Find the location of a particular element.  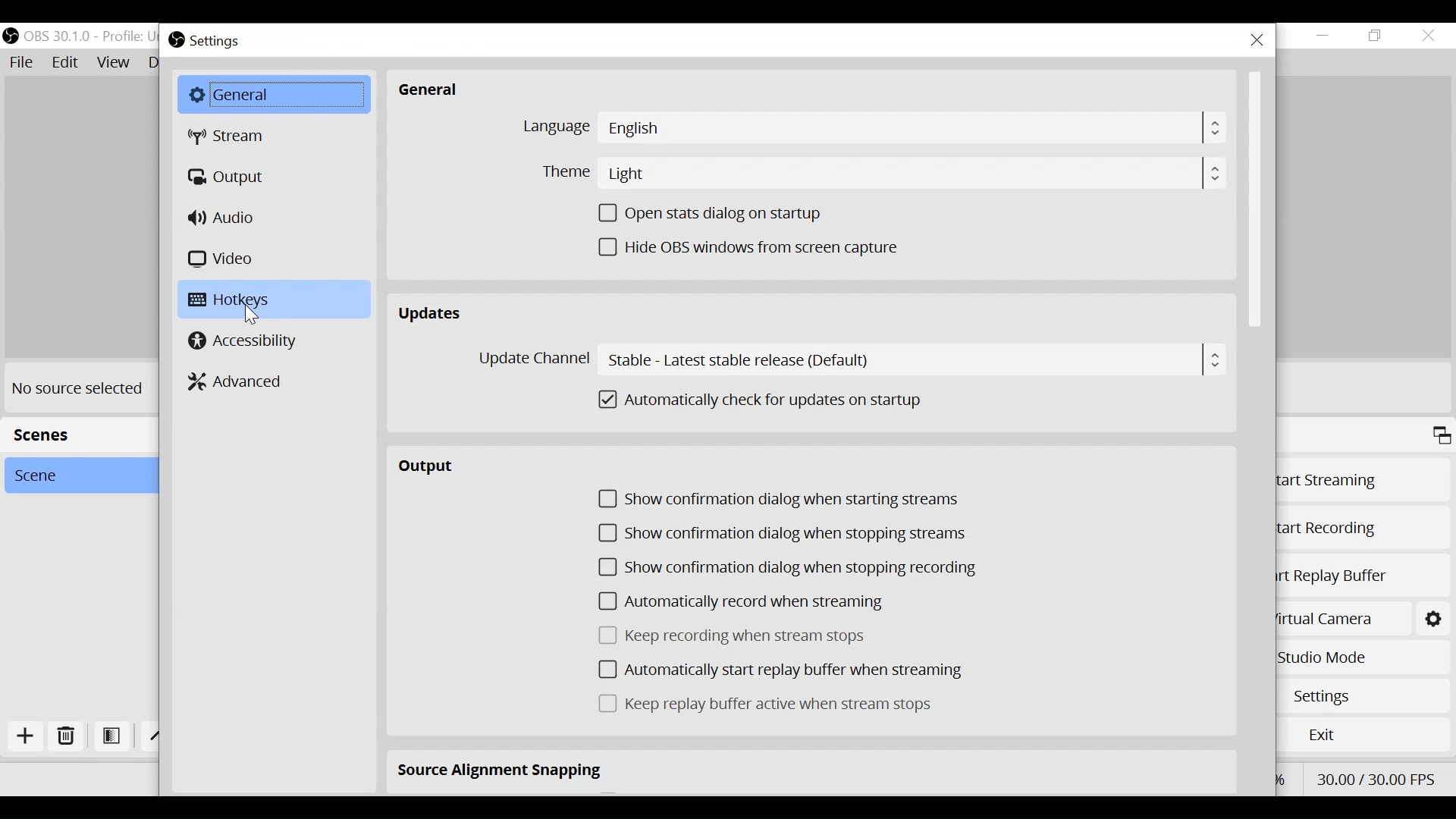

No source selected is located at coordinates (78, 387).